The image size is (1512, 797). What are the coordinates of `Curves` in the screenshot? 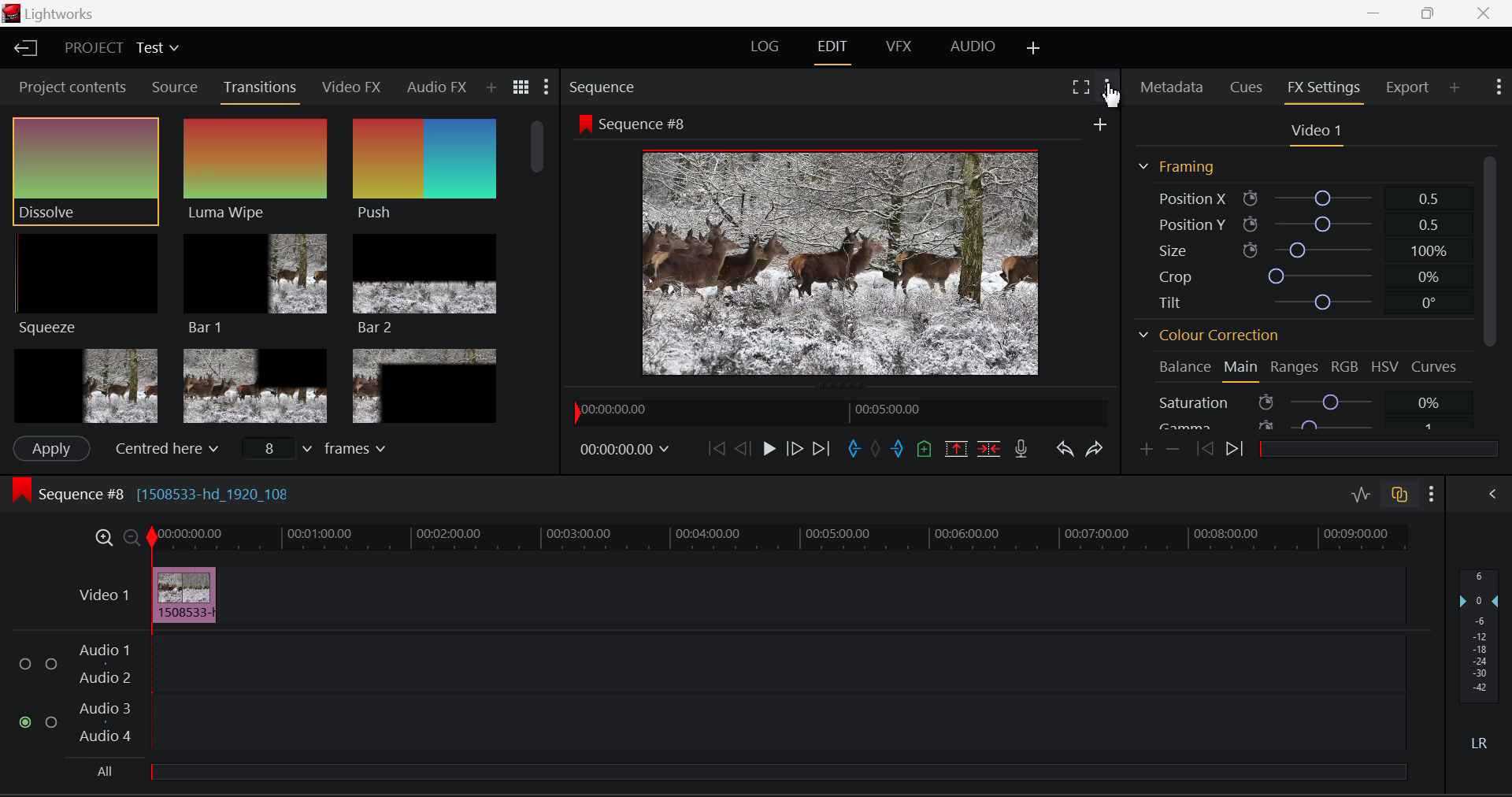 It's located at (1435, 366).